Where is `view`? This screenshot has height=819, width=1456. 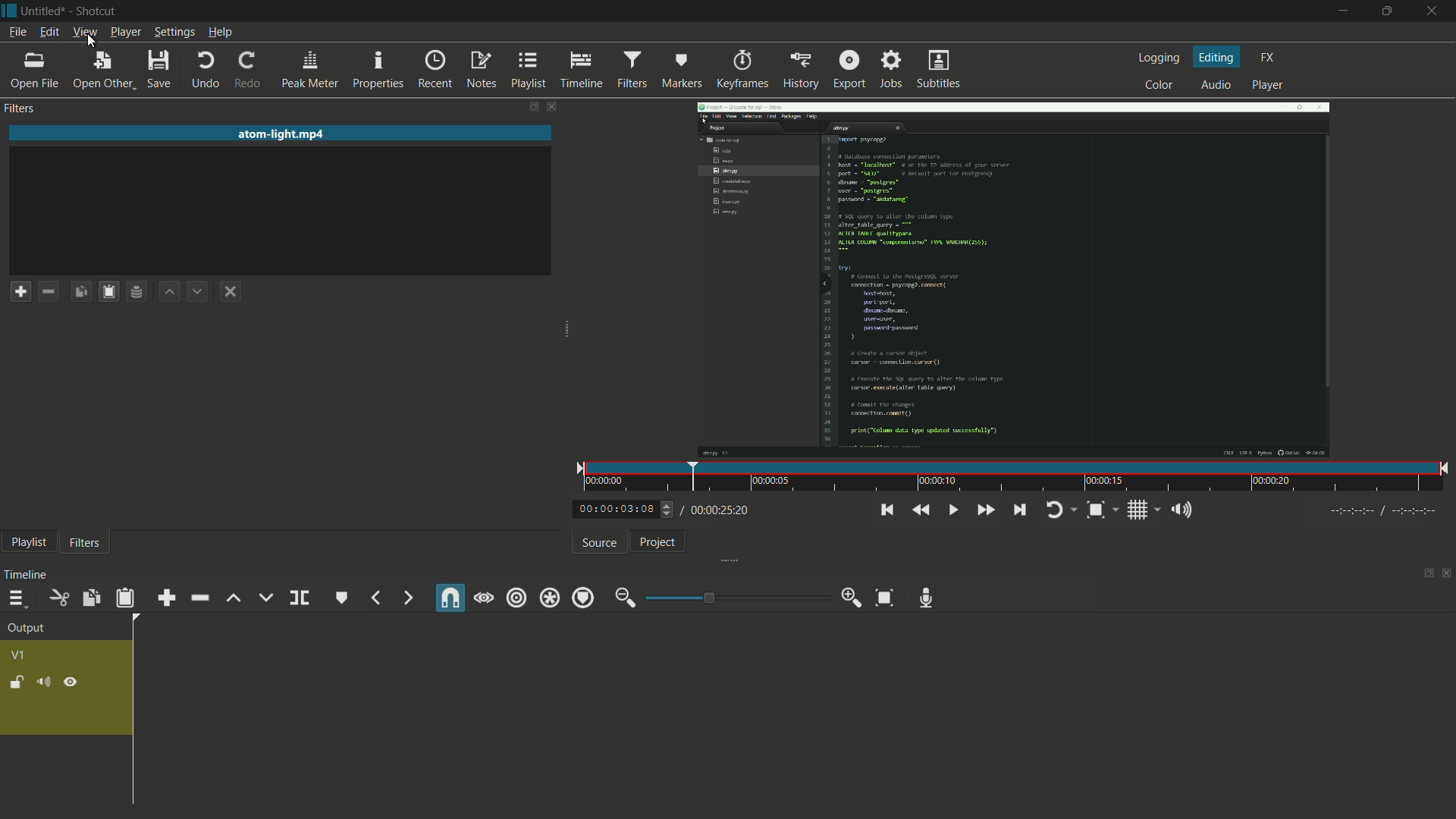 view is located at coordinates (83, 30).